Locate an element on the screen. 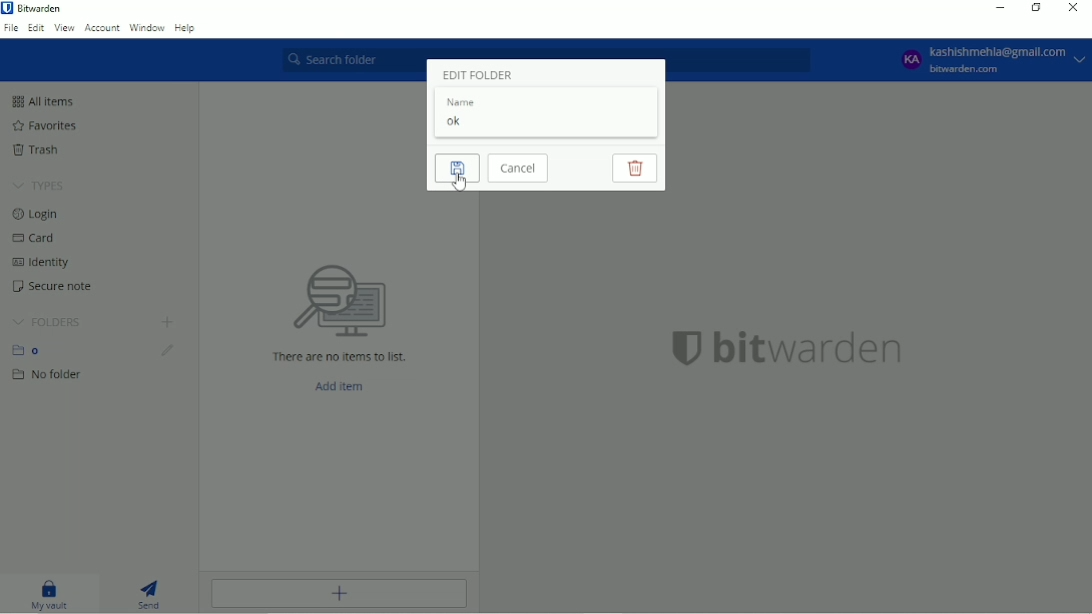 The image size is (1092, 614). No folder is located at coordinates (49, 375).